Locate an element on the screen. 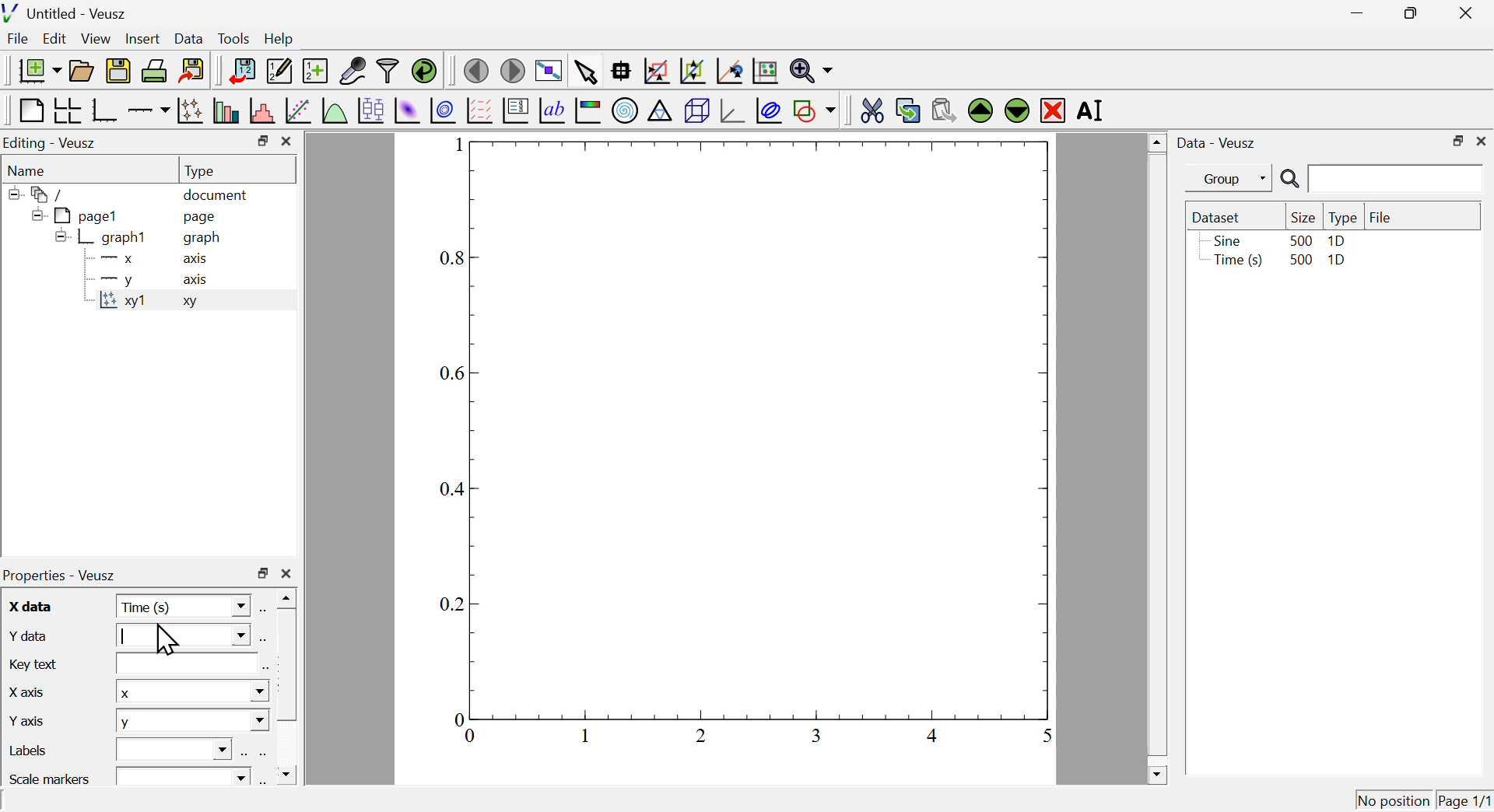 Image resolution: width=1494 pixels, height=812 pixels. x is located at coordinates (191, 692).